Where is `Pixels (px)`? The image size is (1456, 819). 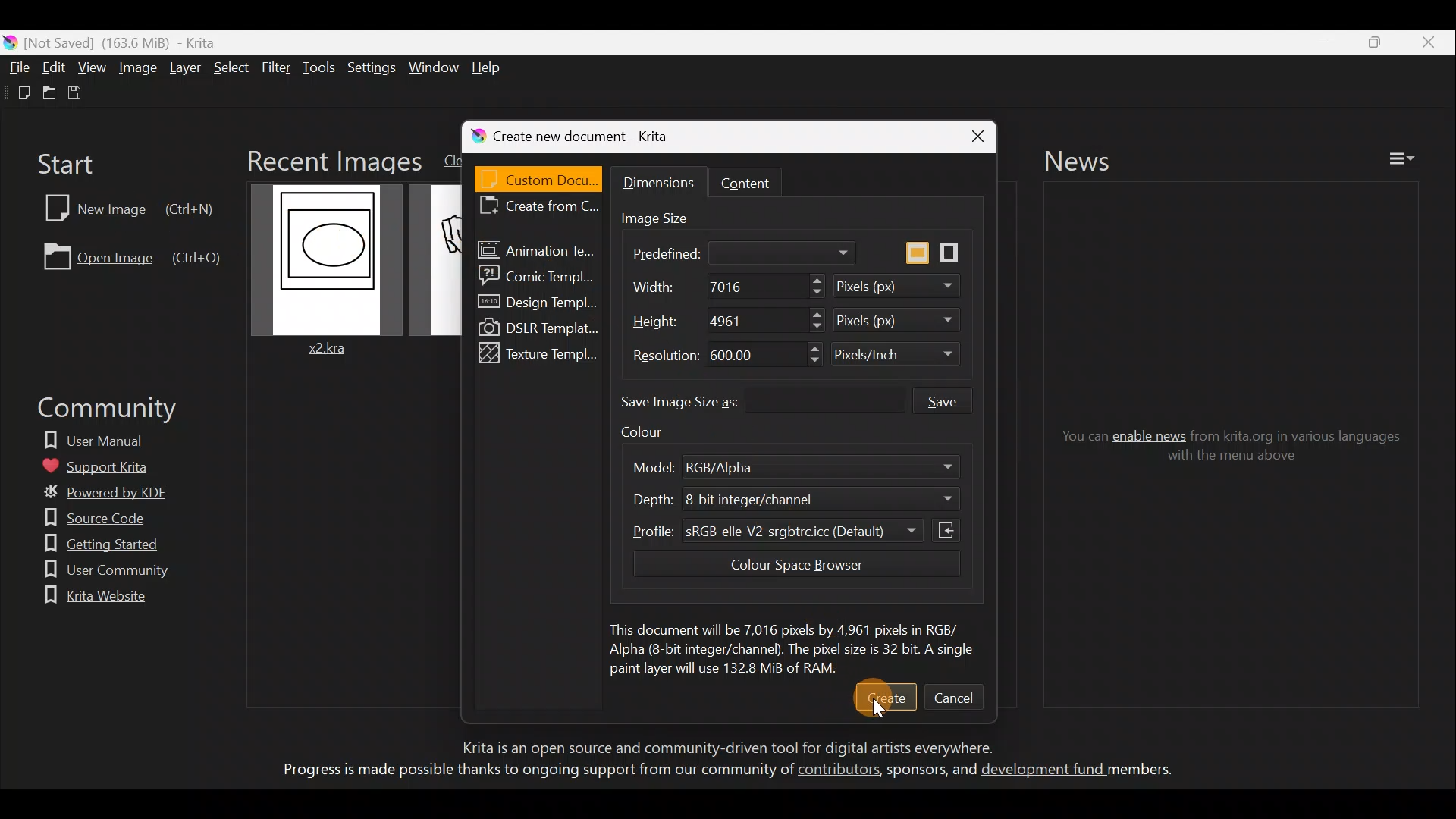 Pixels (px) is located at coordinates (905, 322).